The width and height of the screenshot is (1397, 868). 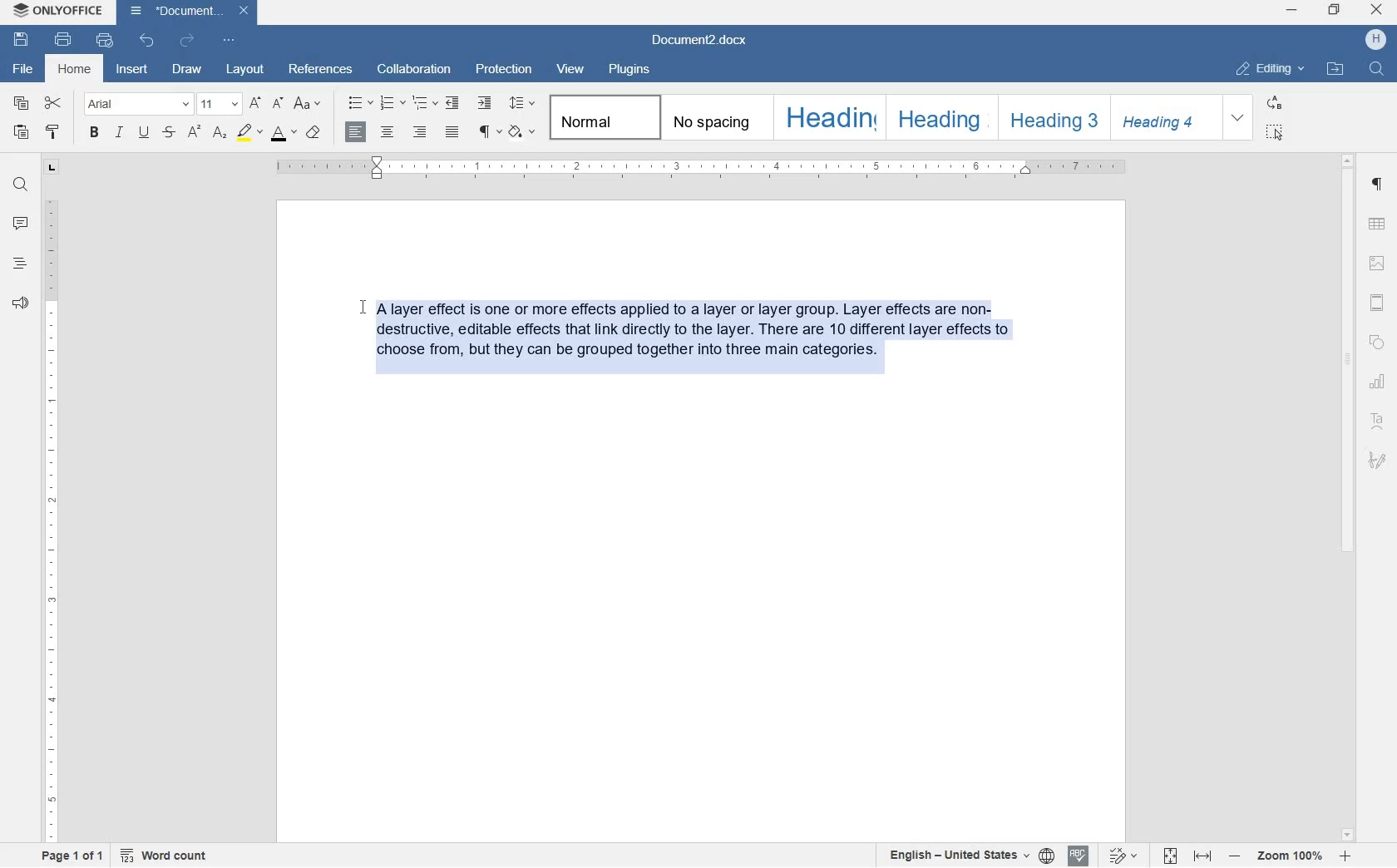 I want to click on decrement font size, so click(x=277, y=104).